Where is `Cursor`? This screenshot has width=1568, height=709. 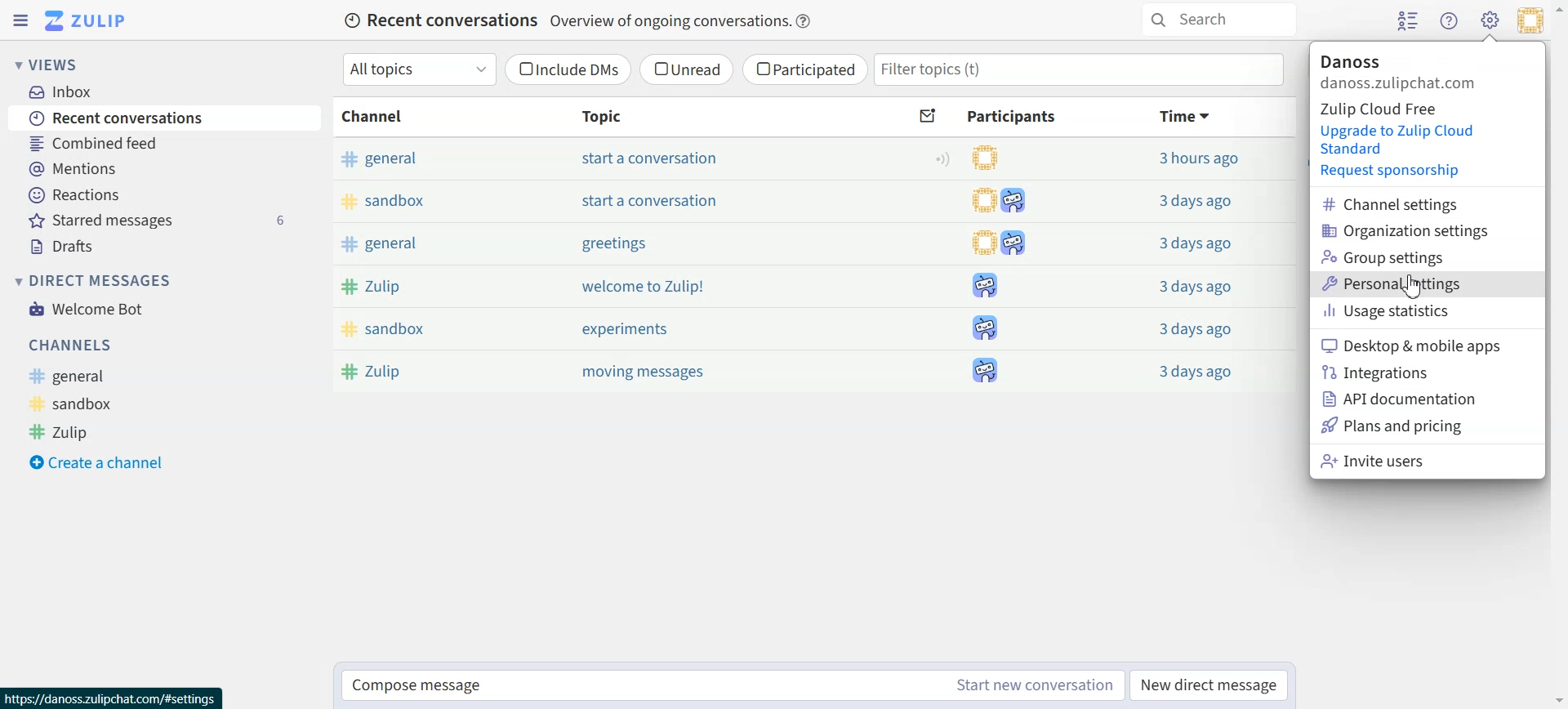
Cursor is located at coordinates (1486, 20).